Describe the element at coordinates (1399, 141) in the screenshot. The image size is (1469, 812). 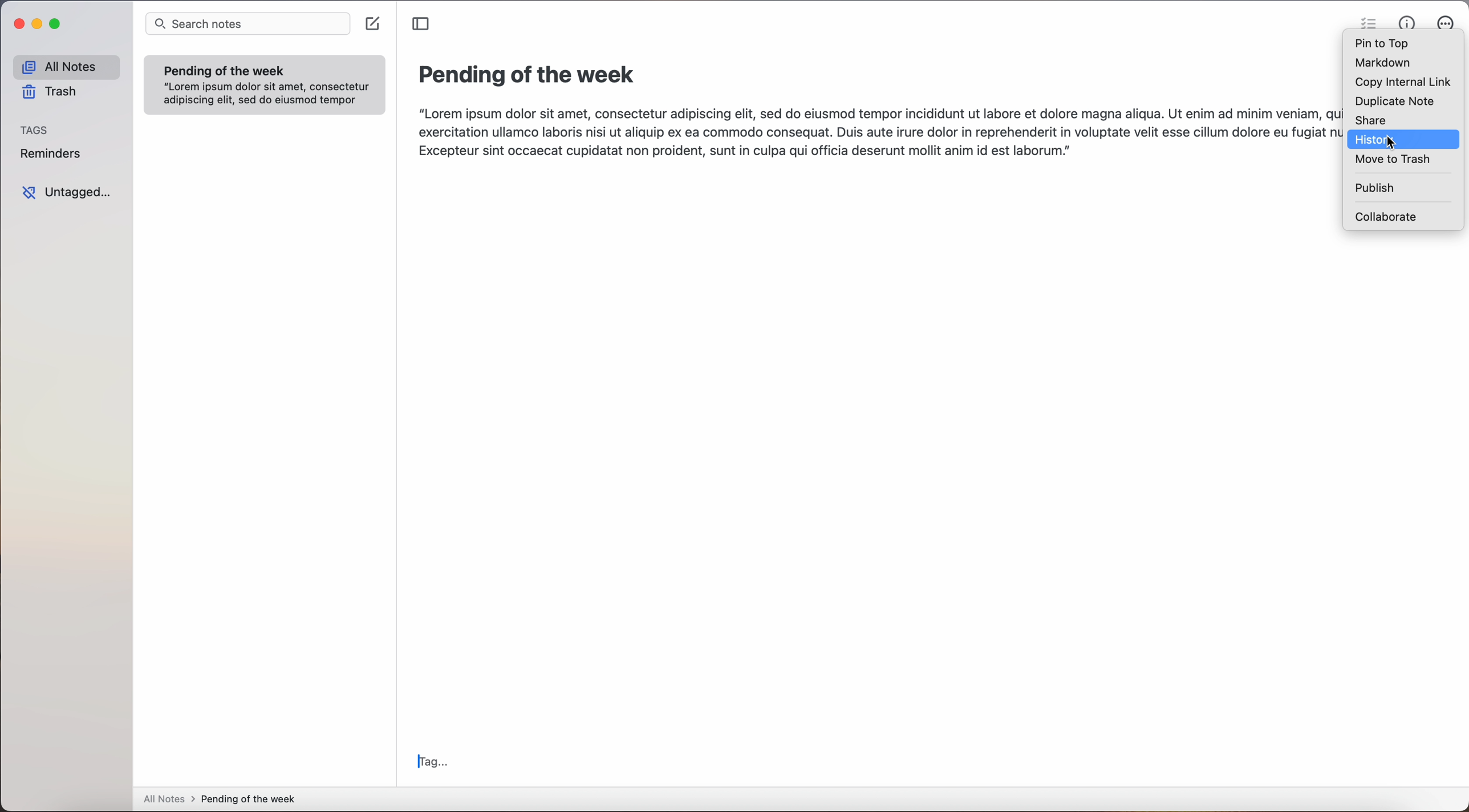
I see `cursor` at that location.